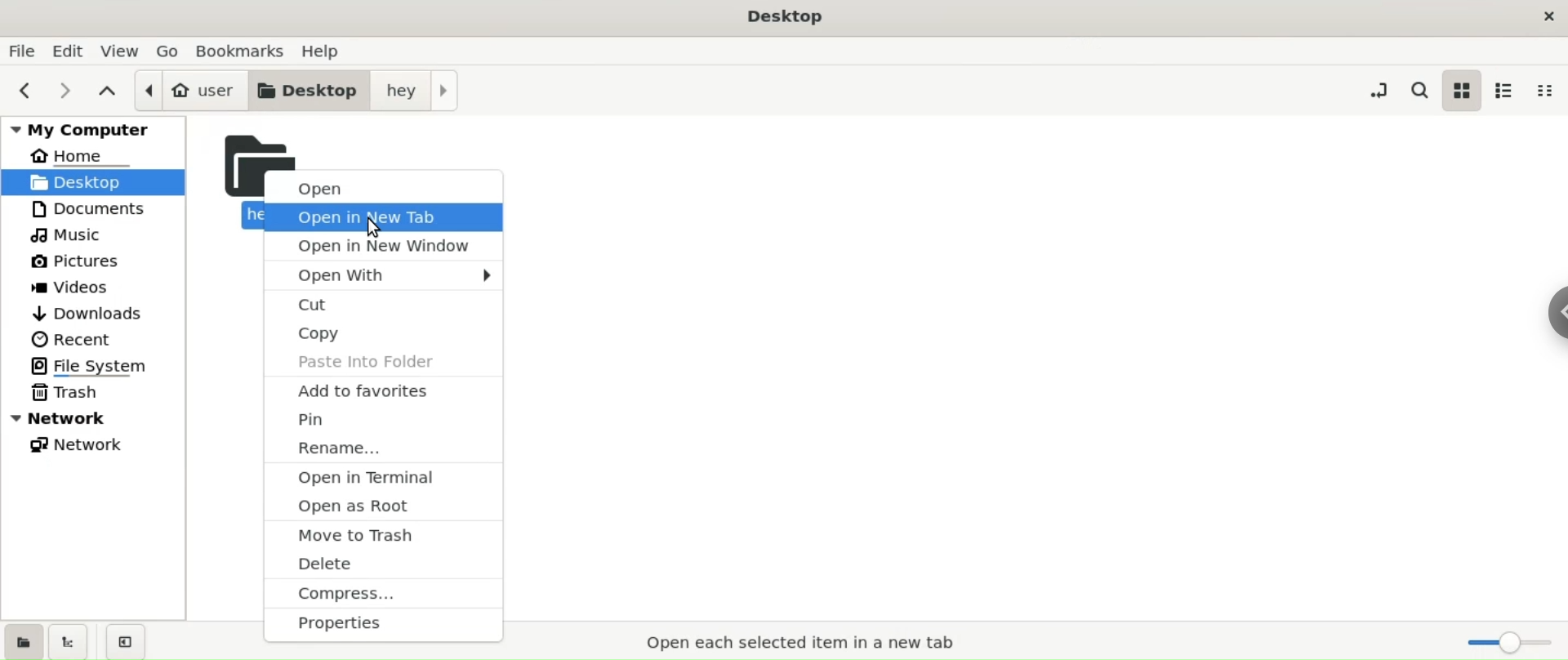 Image resolution: width=1568 pixels, height=660 pixels. Describe the element at coordinates (1558, 314) in the screenshot. I see `sidebar` at that location.